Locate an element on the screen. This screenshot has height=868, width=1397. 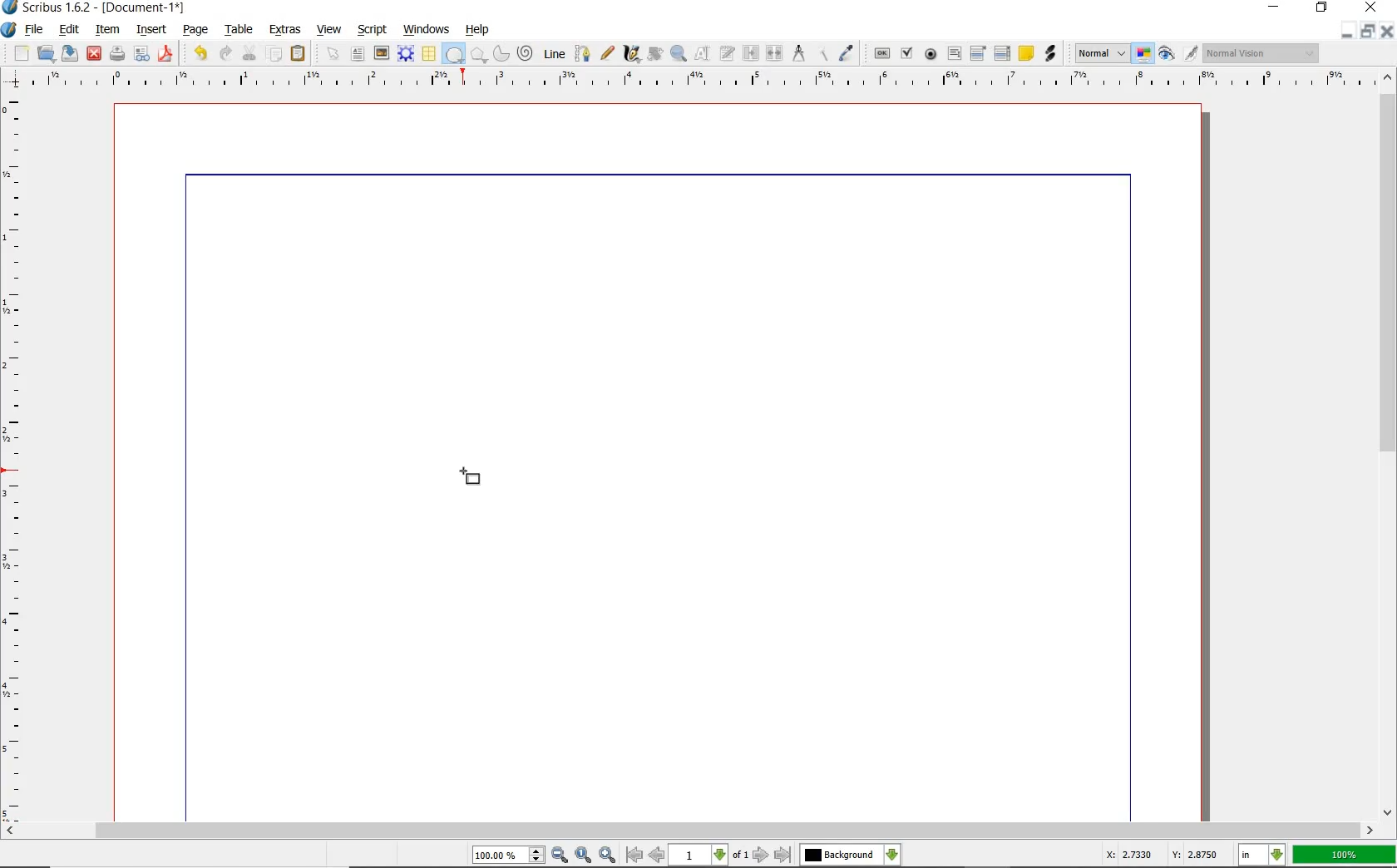
PDF TEXT FIELD is located at coordinates (954, 53).